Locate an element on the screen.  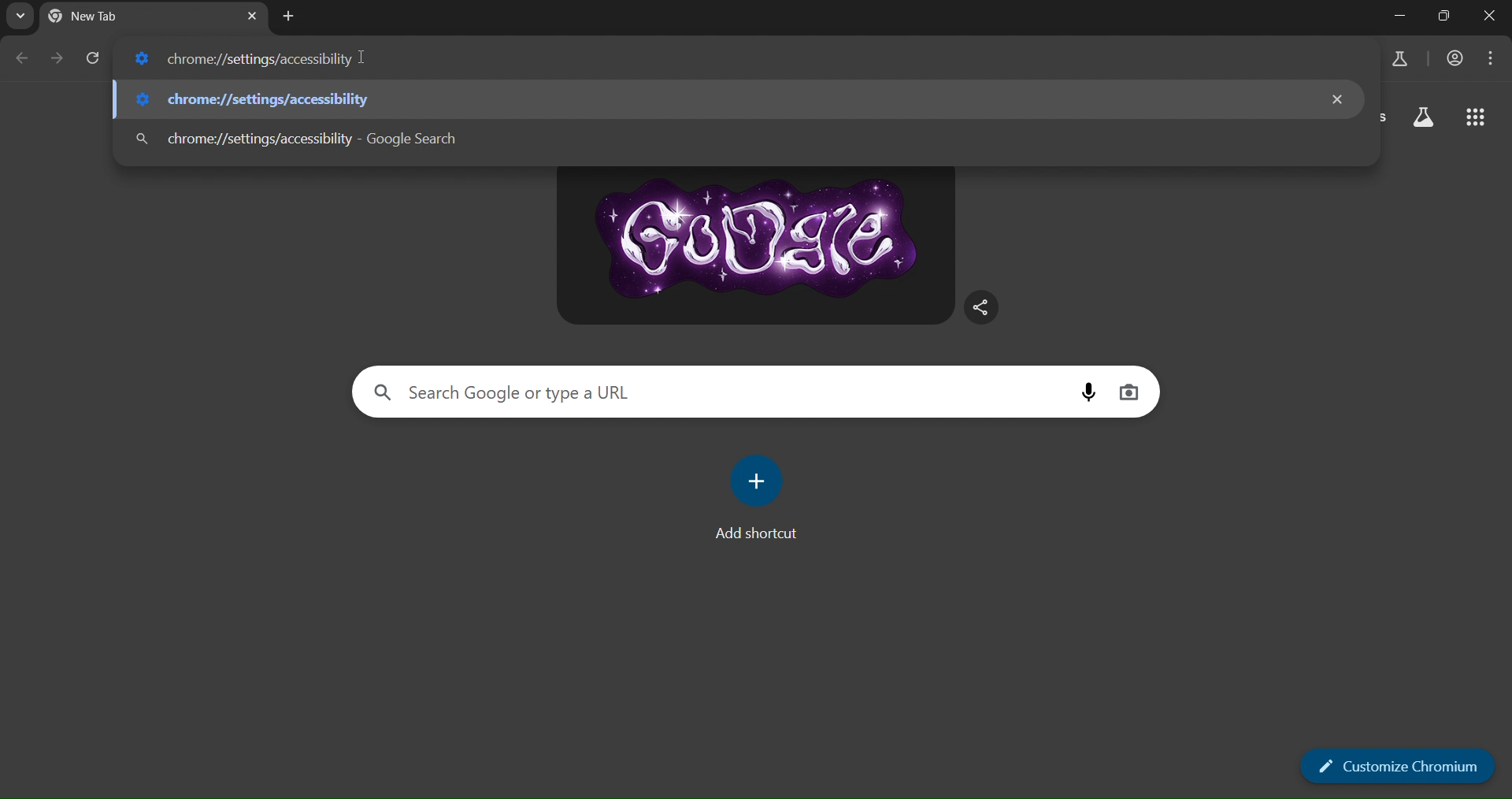
add shortcut is located at coordinates (759, 495).